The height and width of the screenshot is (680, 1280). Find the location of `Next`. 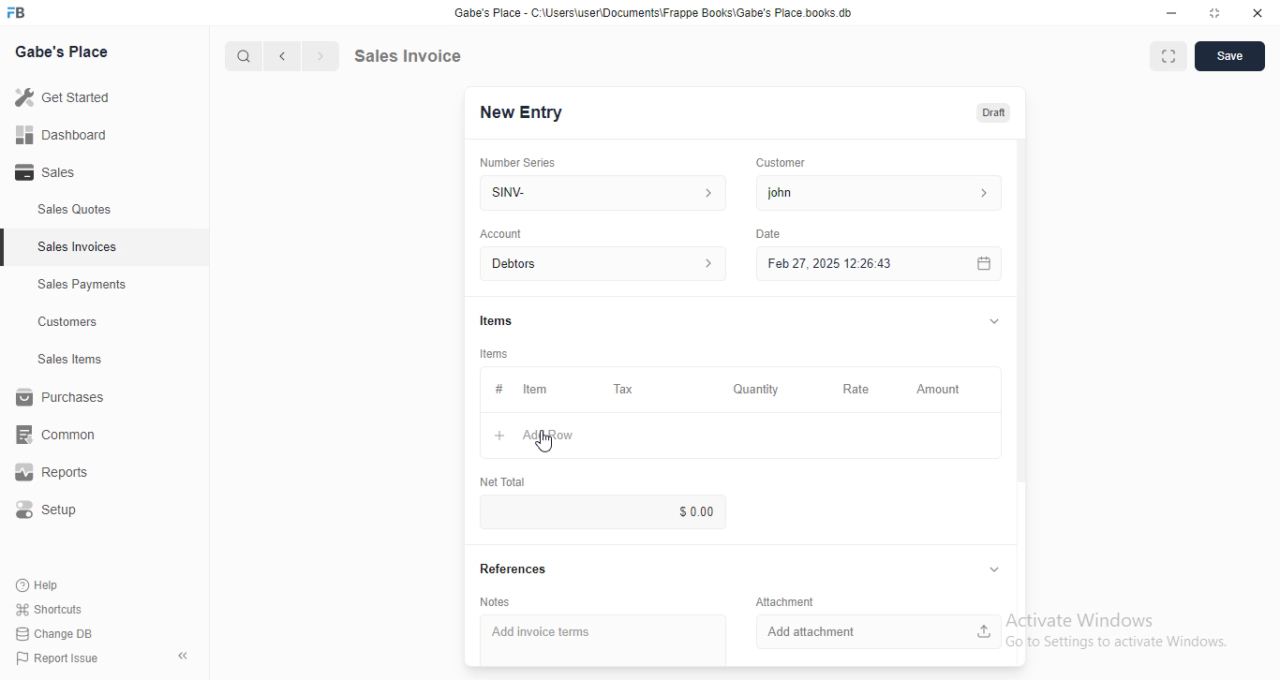

Next is located at coordinates (319, 54).